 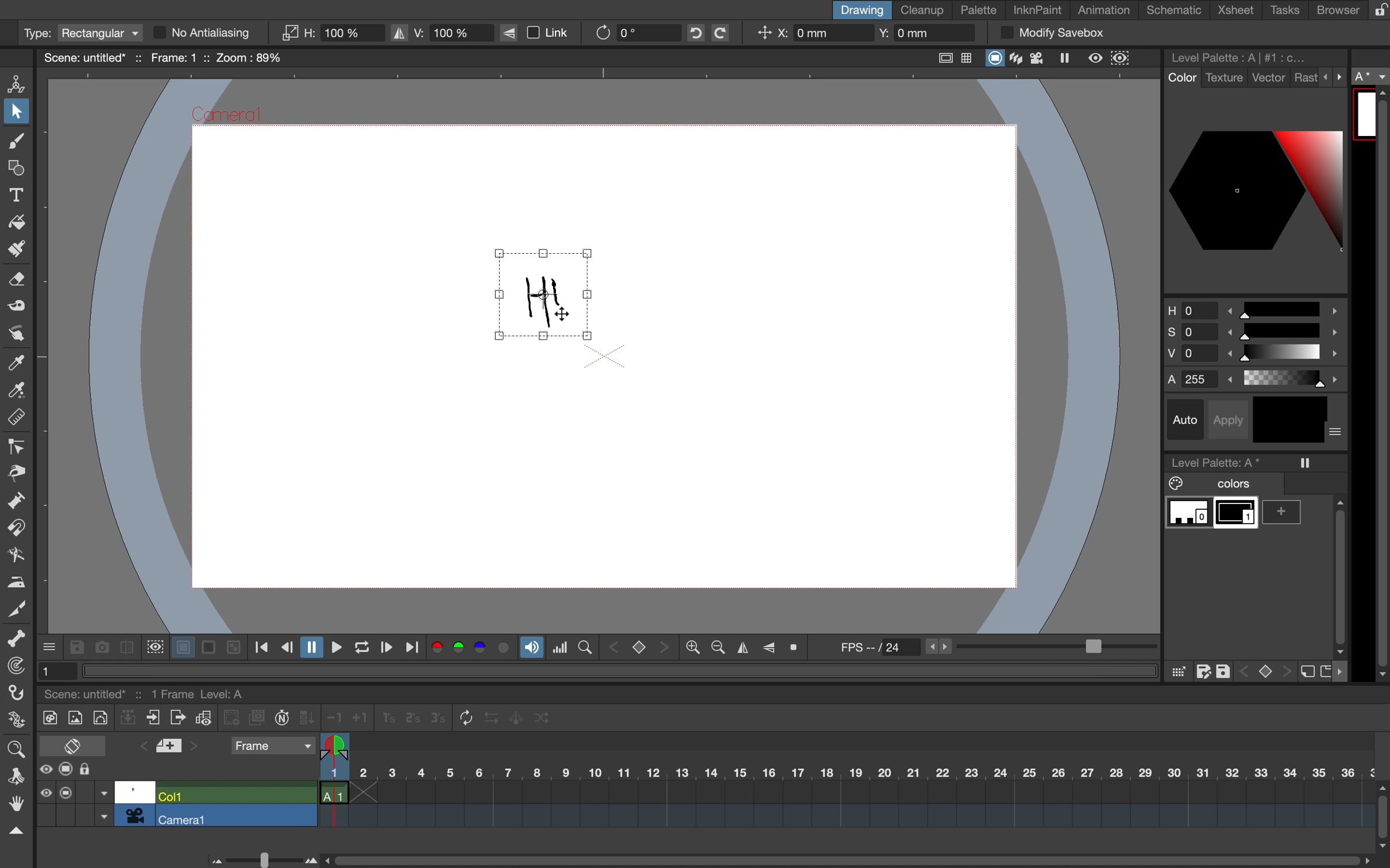 What do you see at coordinates (1037, 9) in the screenshot?
I see `inknpaint` at bounding box center [1037, 9].